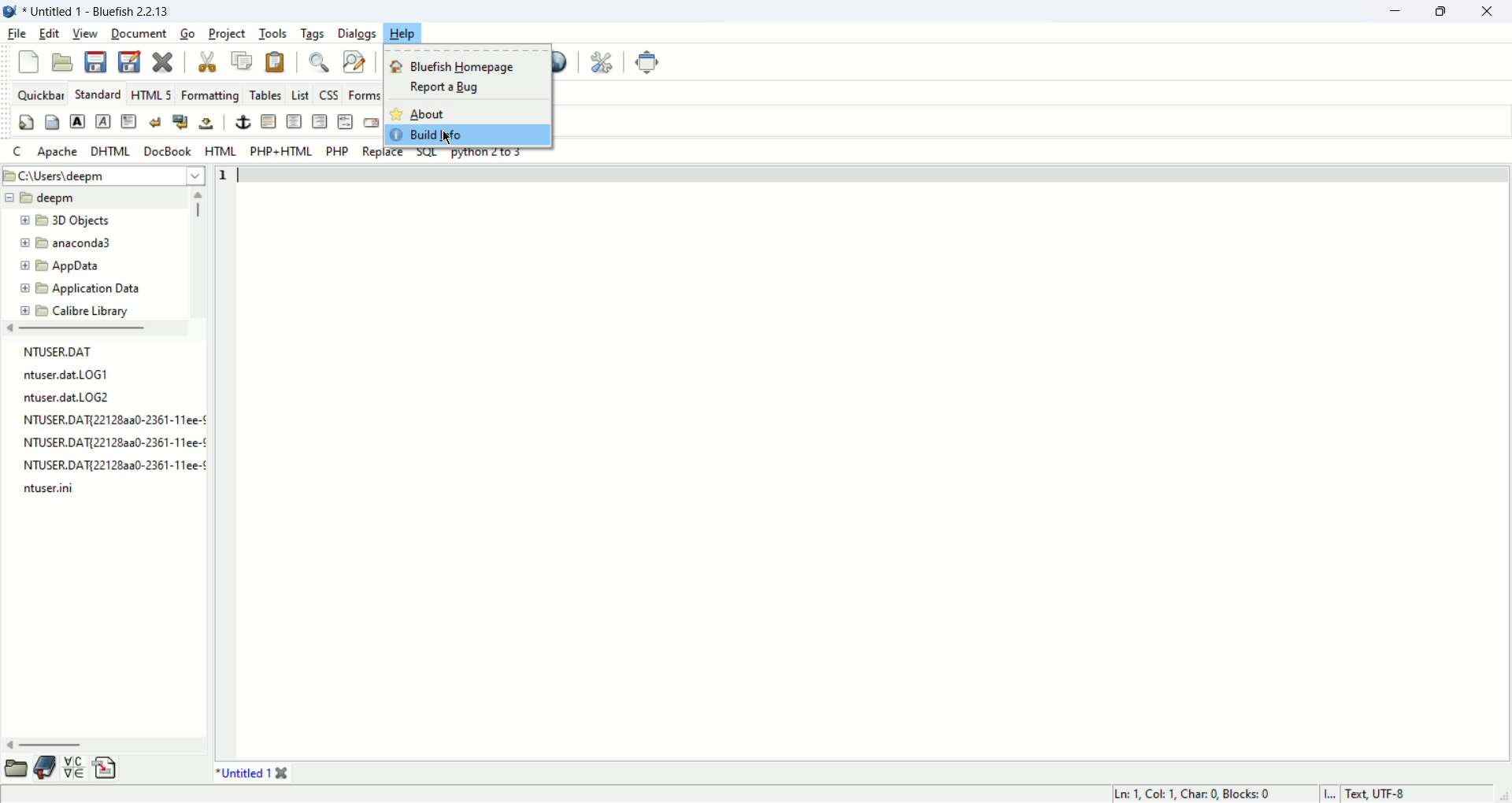 This screenshot has width=1512, height=803. What do you see at coordinates (20, 152) in the screenshot?
I see `C` at bounding box center [20, 152].